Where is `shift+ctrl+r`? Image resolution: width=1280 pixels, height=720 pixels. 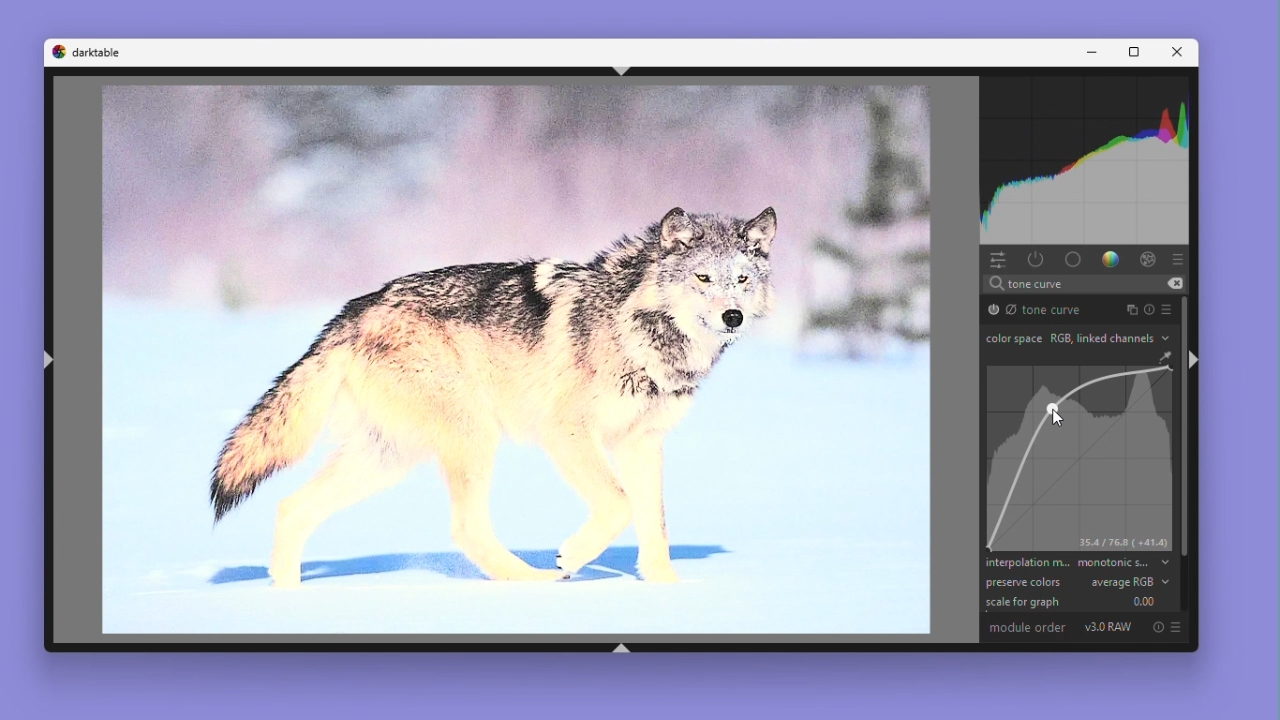 shift+ctrl+r is located at coordinates (1200, 359).